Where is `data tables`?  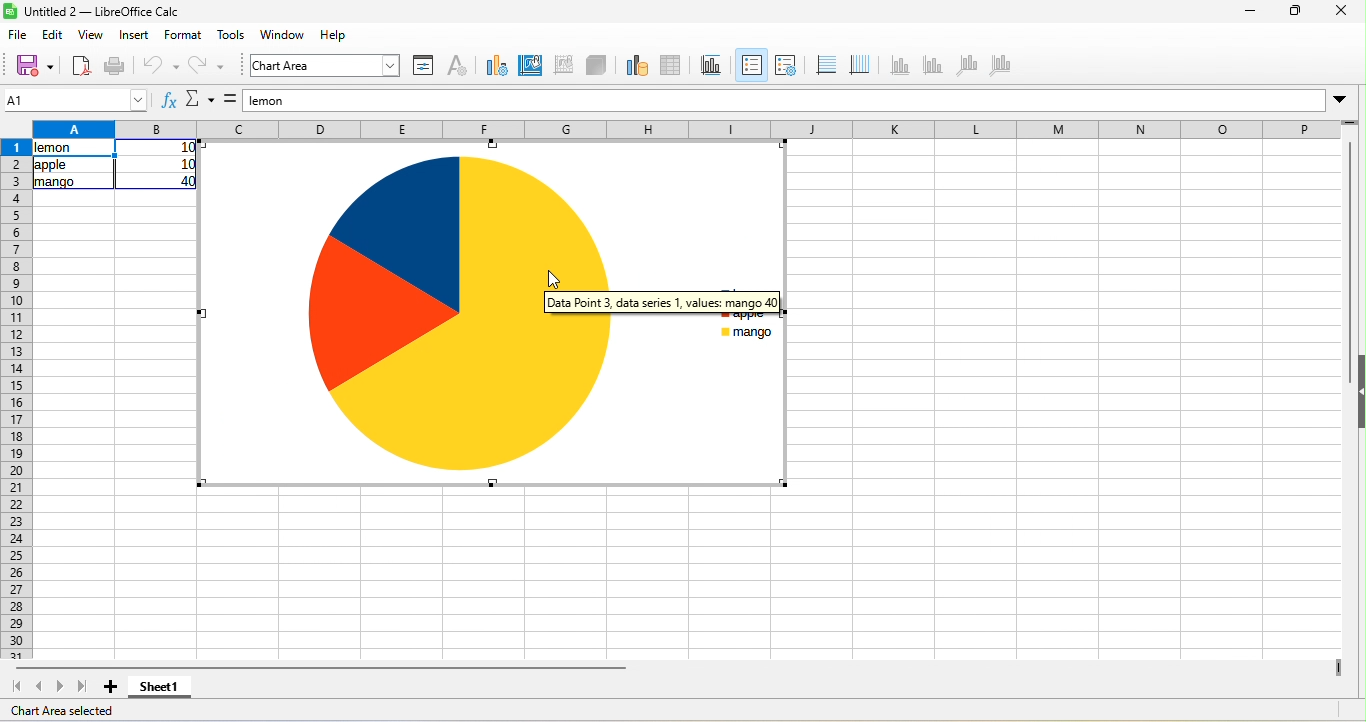
data tables is located at coordinates (674, 65).